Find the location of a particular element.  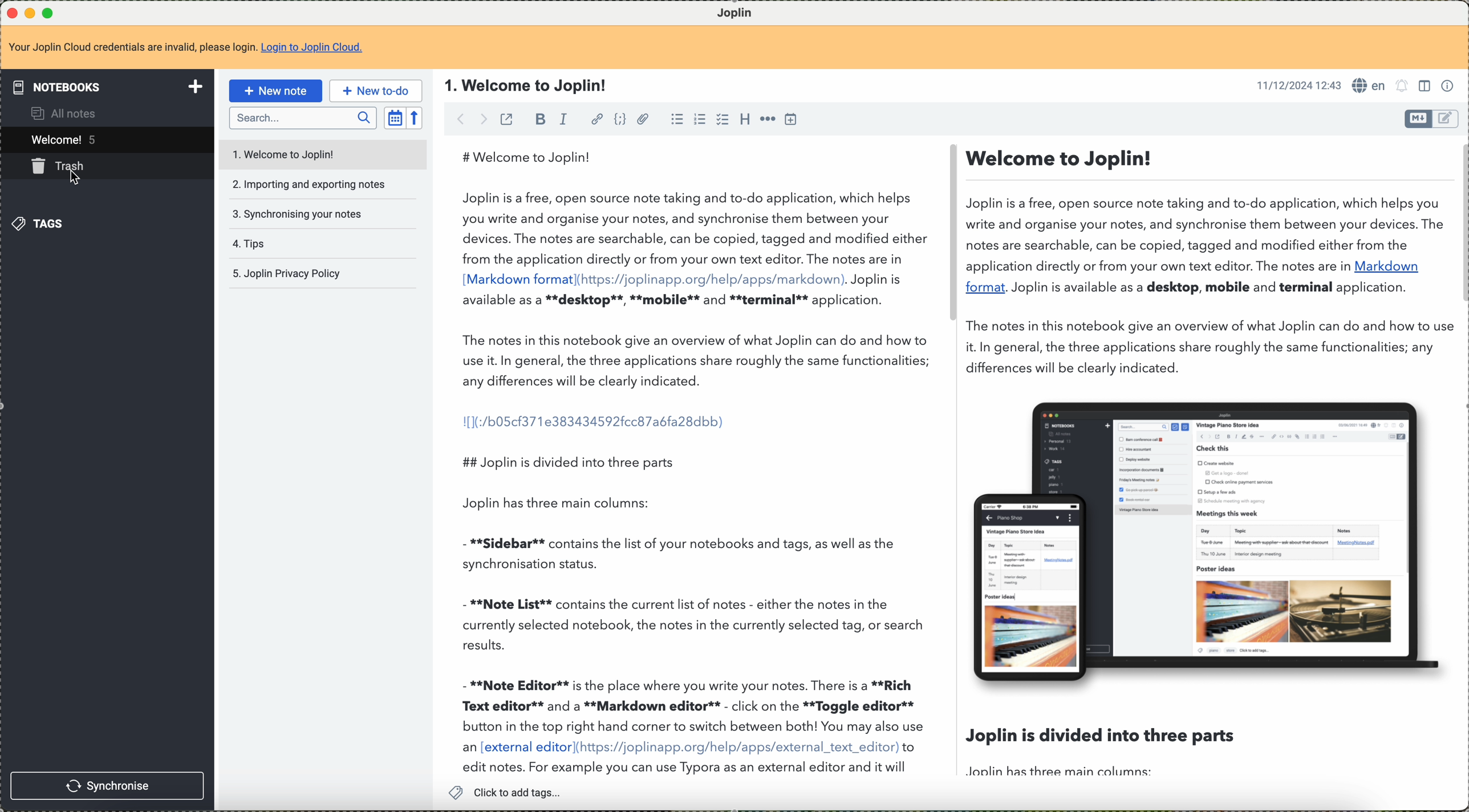

image is located at coordinates (1208, 542).